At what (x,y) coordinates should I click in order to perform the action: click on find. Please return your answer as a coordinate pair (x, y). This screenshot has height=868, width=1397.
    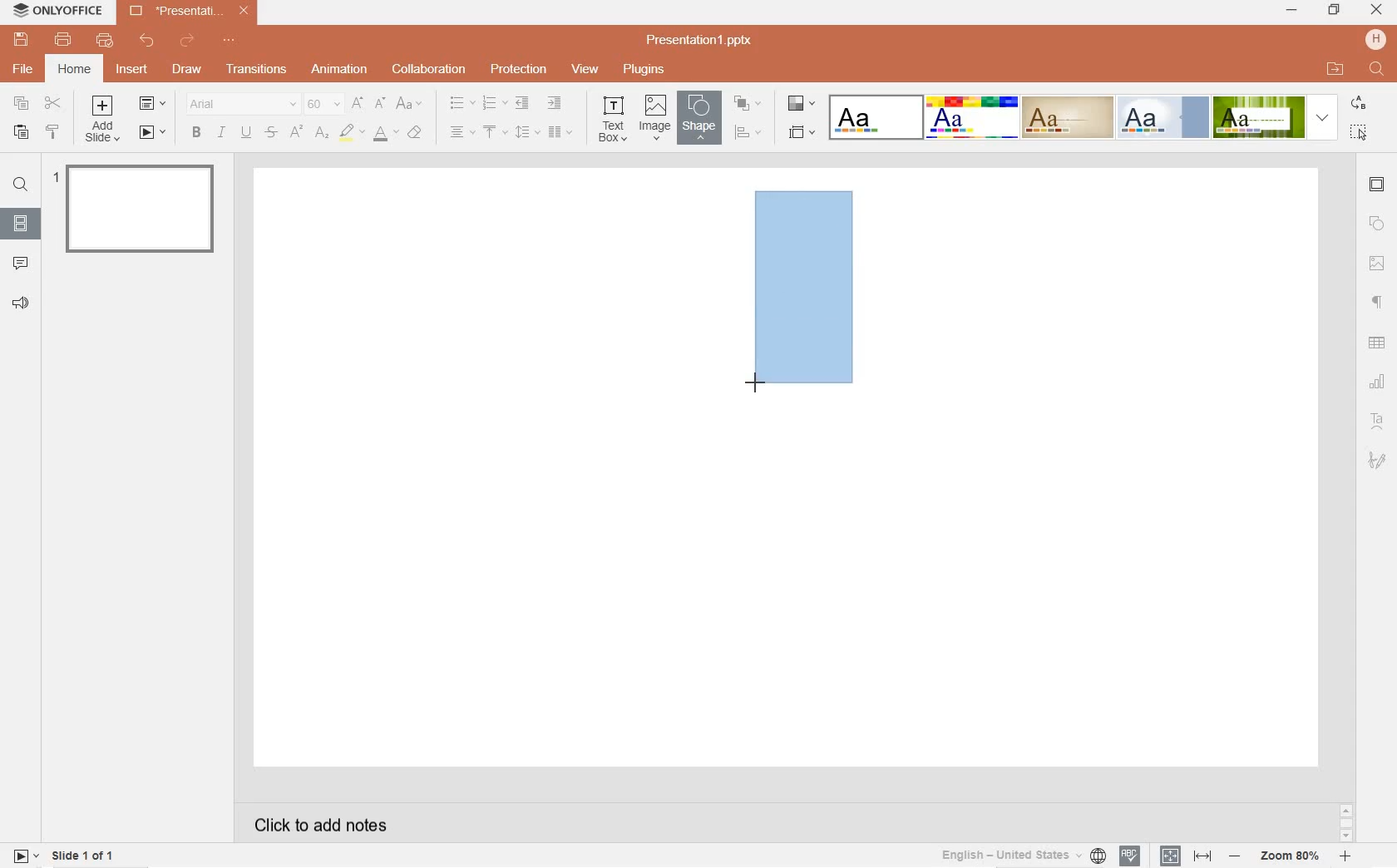
    Looking at the image, I should click on (20, 187).